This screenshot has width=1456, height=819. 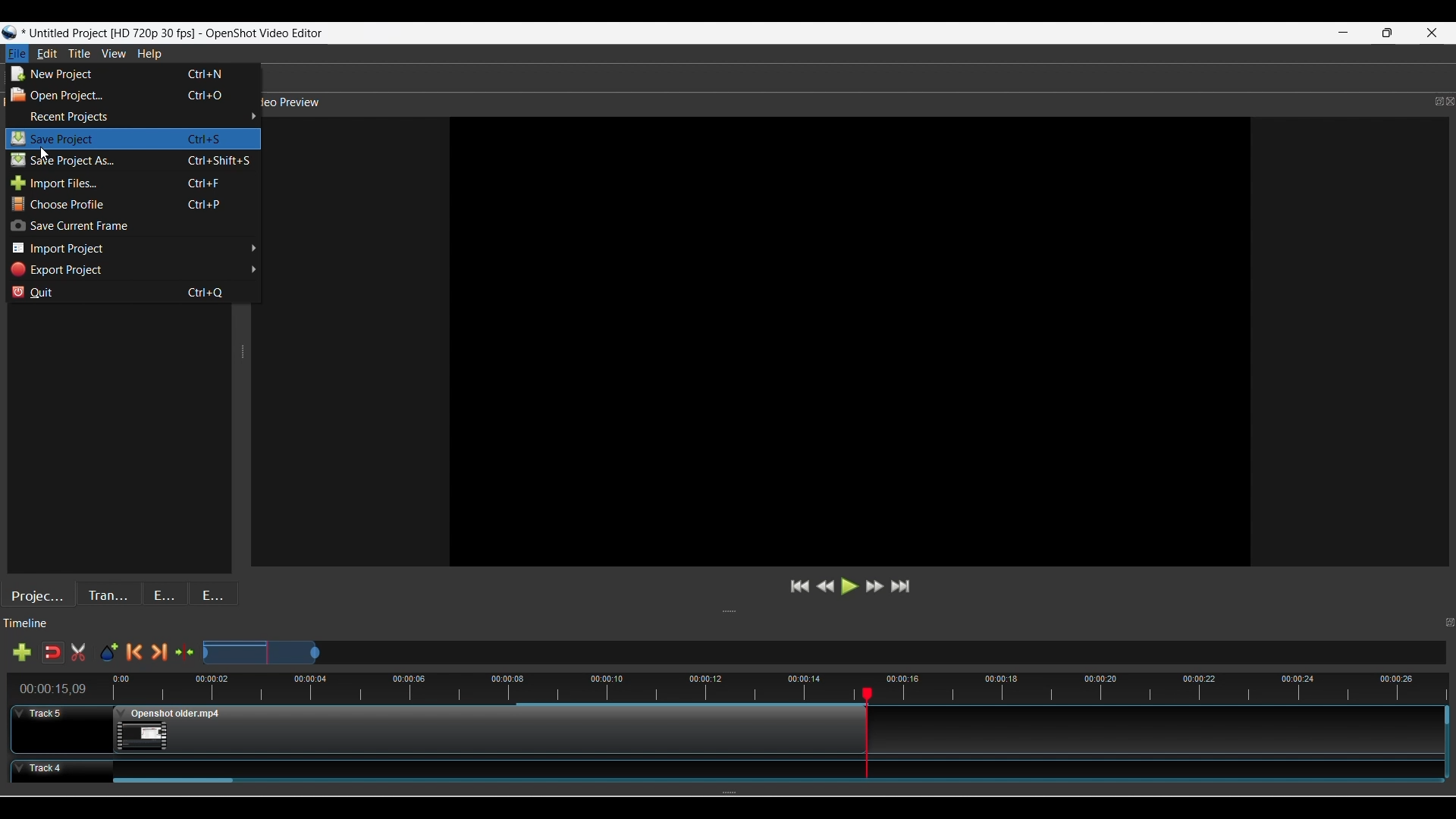 I want to click on Current timestamp of playhead, so click(x=54, y=689).